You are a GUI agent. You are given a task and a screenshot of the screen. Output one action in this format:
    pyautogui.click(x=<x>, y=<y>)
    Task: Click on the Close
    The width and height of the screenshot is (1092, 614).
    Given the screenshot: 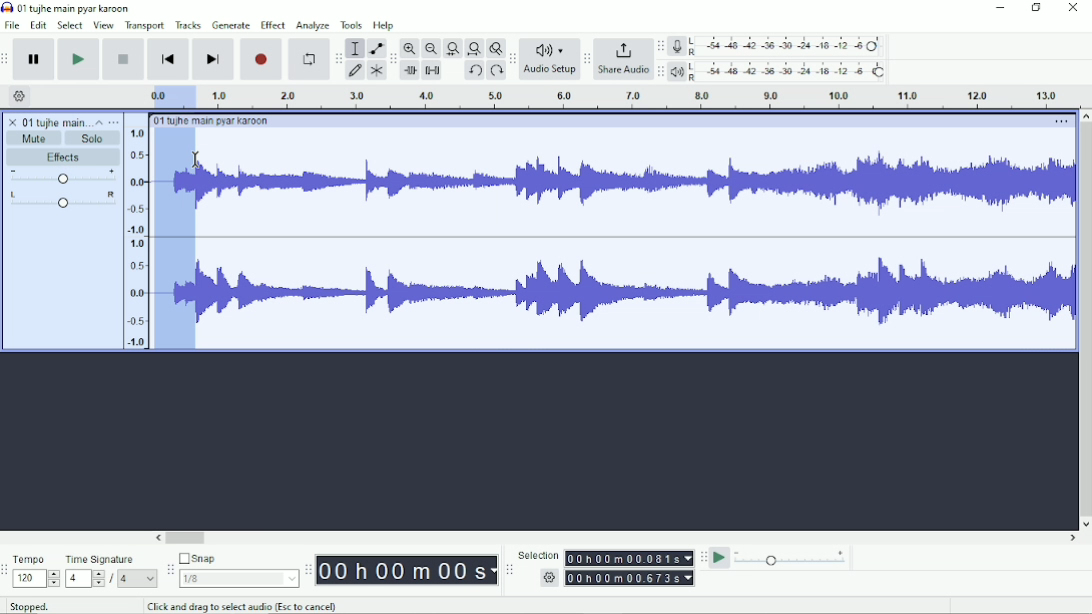 What is the action you would take?
    pyautogui.click(x=1072, y=9)
    